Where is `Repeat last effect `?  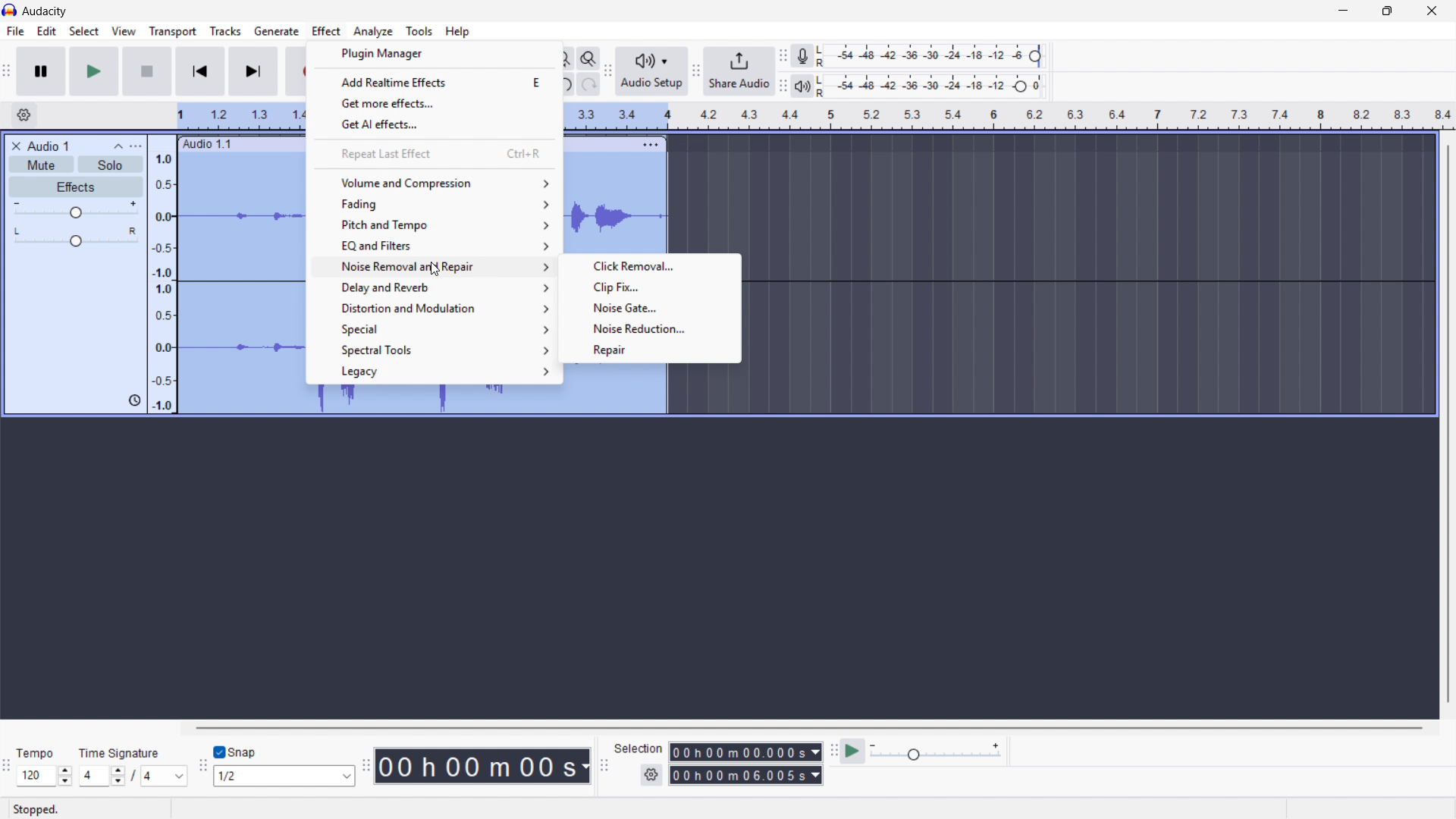 Repeat last effect  is located at coordinates (435, 154).